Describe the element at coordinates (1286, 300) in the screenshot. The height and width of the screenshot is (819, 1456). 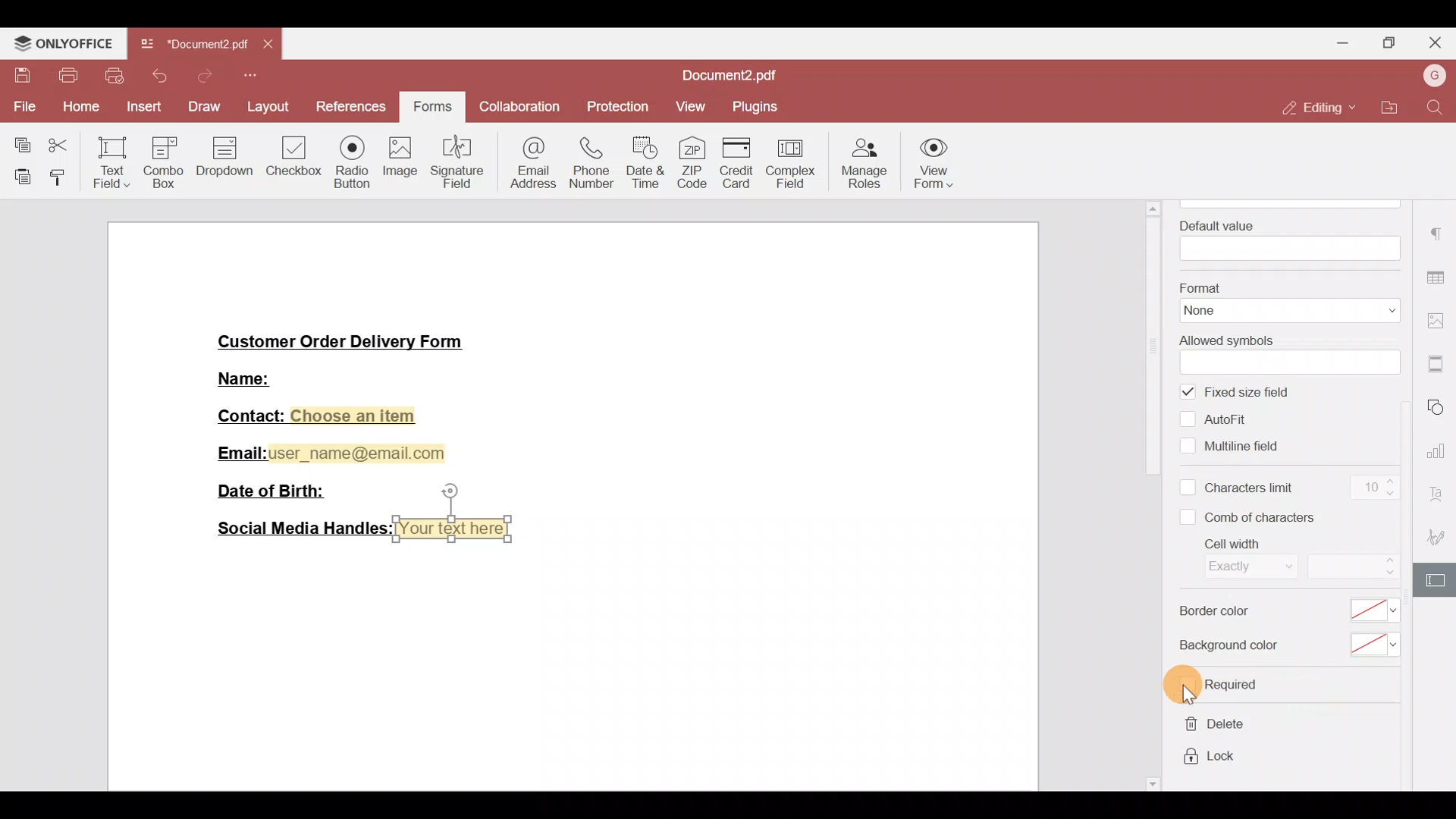
I see `Format` at that location.